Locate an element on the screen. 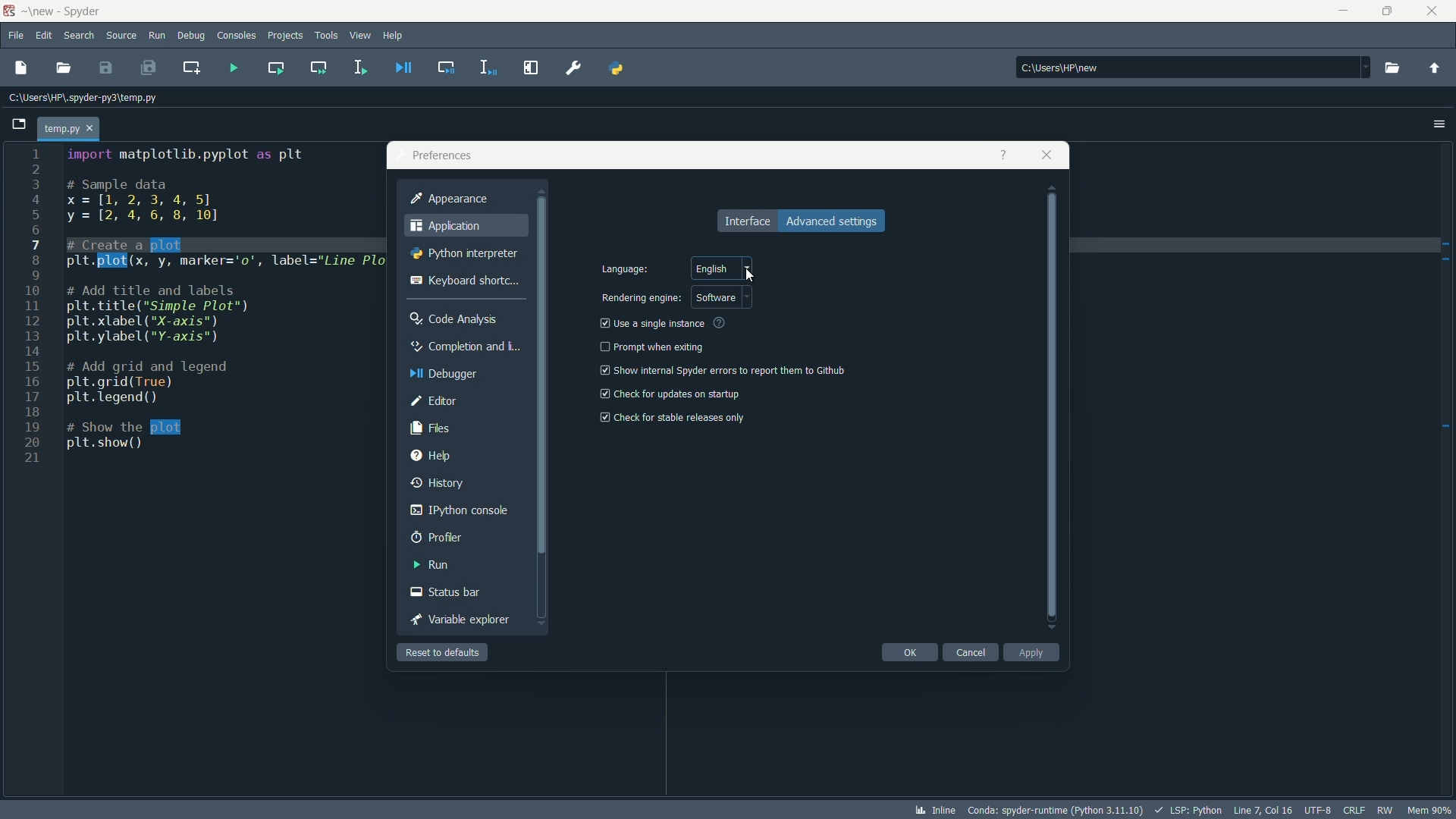 The width and height of the screenshot is (1456, 819). prompt when exiting is located at coordinates (659, 347).